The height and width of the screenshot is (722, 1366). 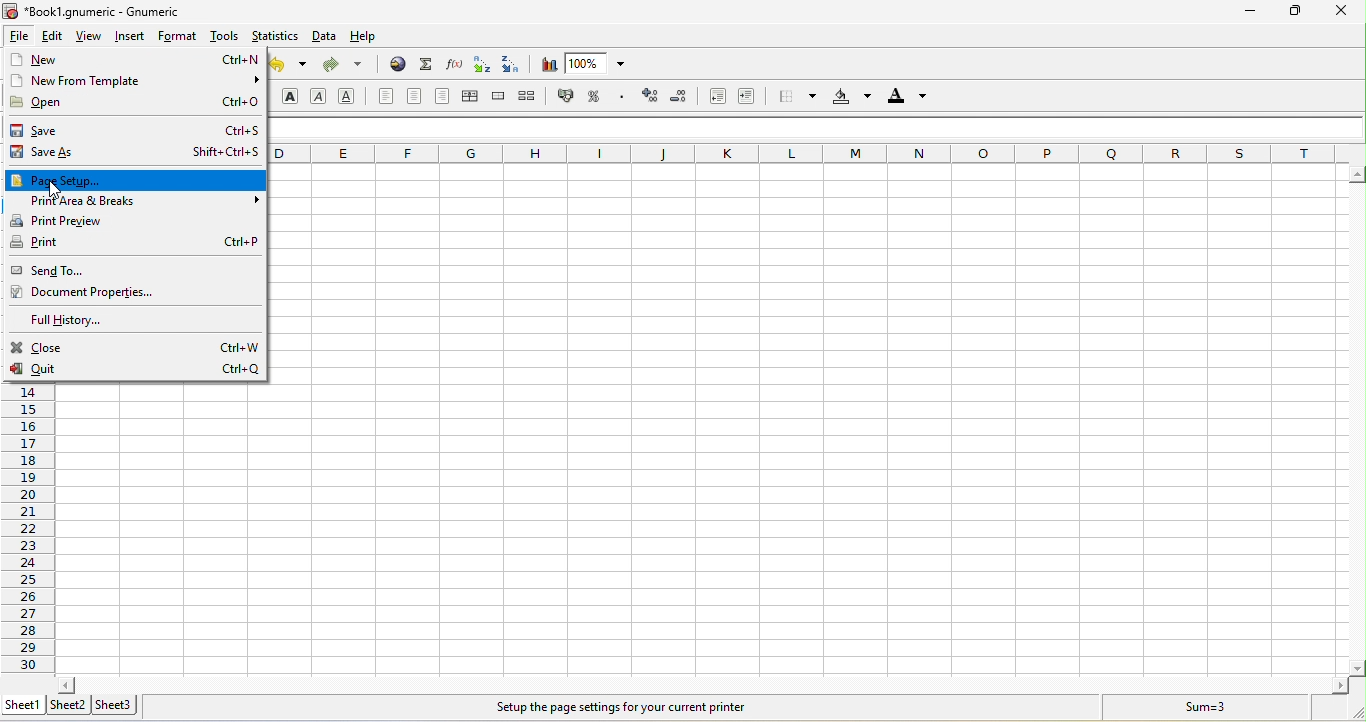 What do you see at coordinates (136, 203) in the screenshot?
I see `print area and breaks` at bounding box center [136, 203].